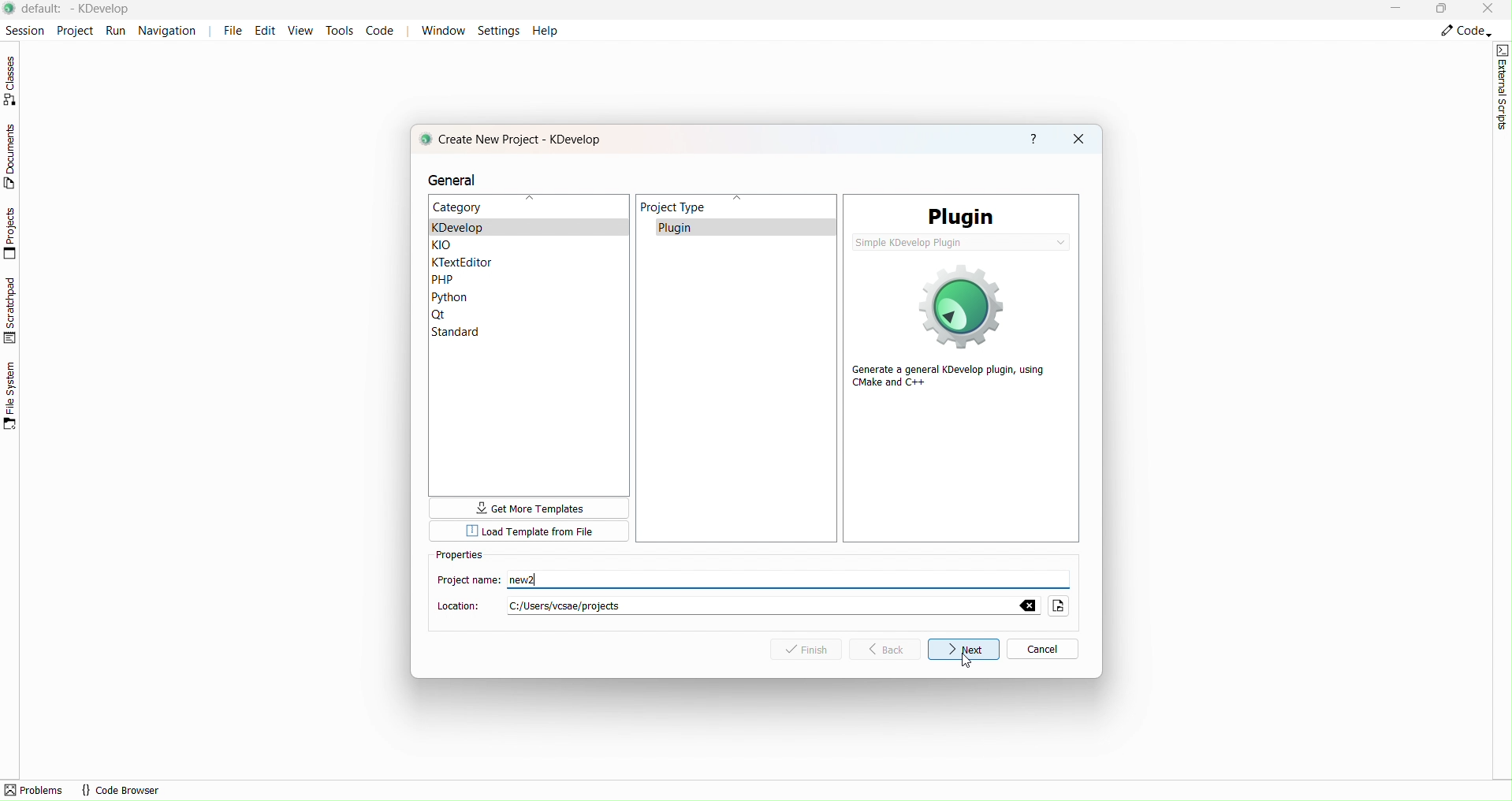 The width and height of the screenshot is (1512, 801). Describe the element at coordinates (117, 30) in the screenshot. I see `Run` at that location.